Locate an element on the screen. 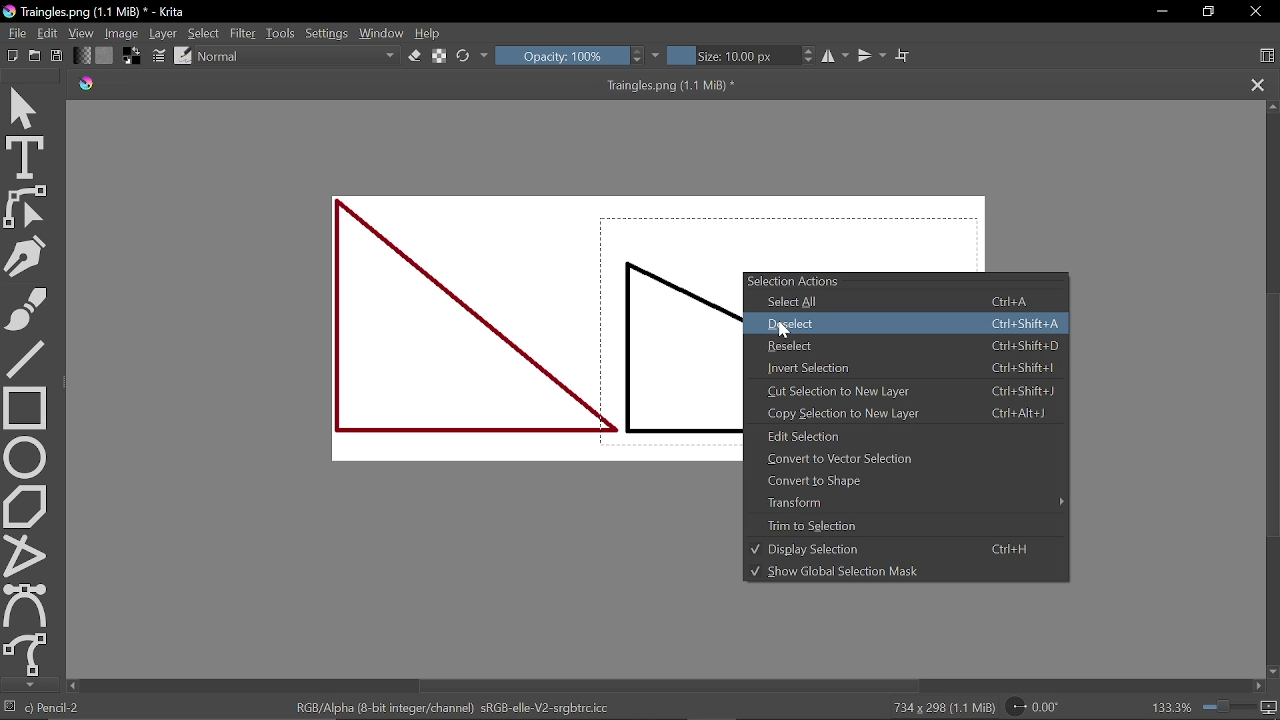 Image resolution: width=1280 pixels, height=720 pixels. Show global selection Mark is located at coordinates (900, 571).